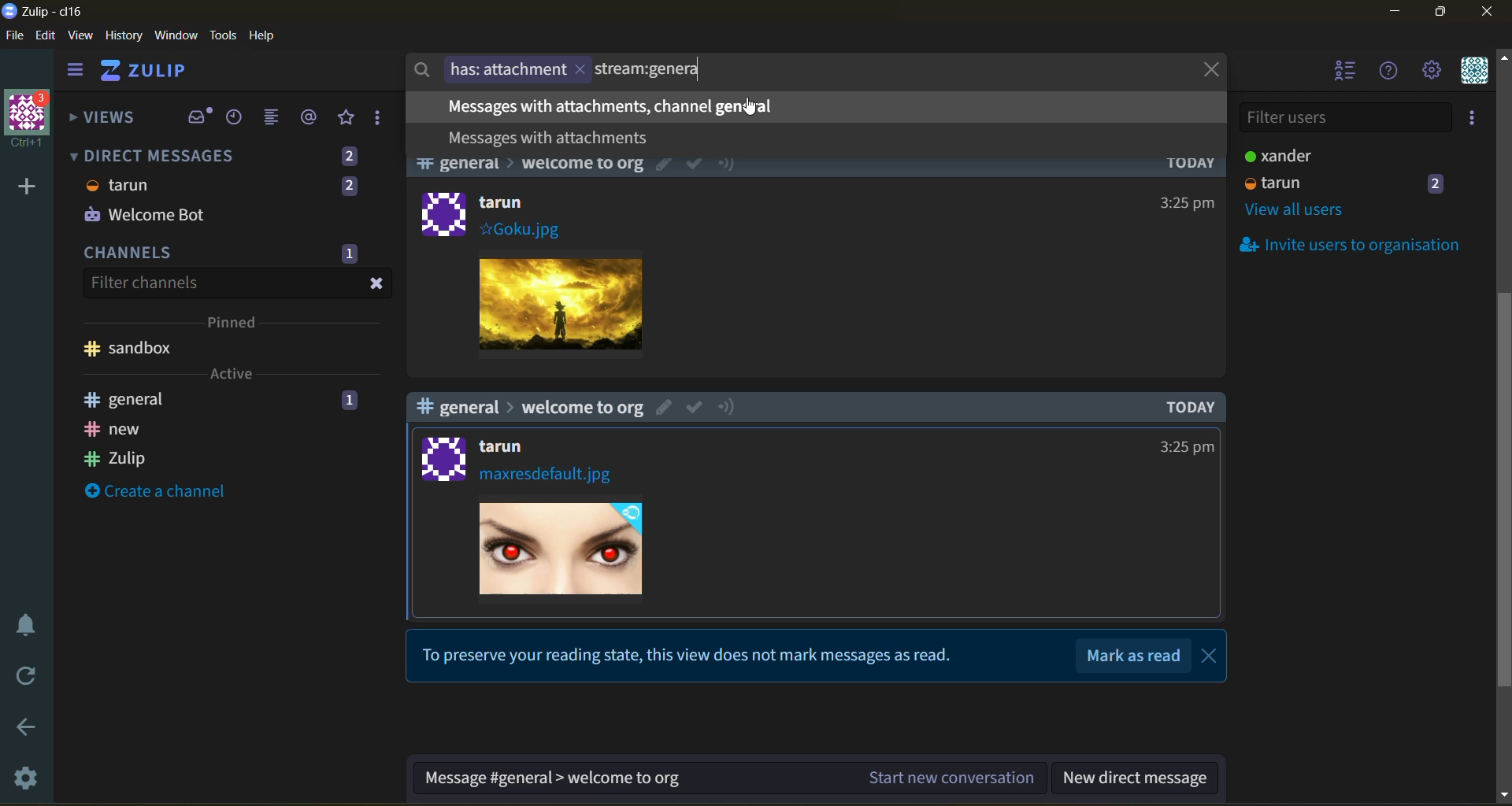  Describe the element at coordinates (695, 405) in the screenshot. I see `mark` at that location.